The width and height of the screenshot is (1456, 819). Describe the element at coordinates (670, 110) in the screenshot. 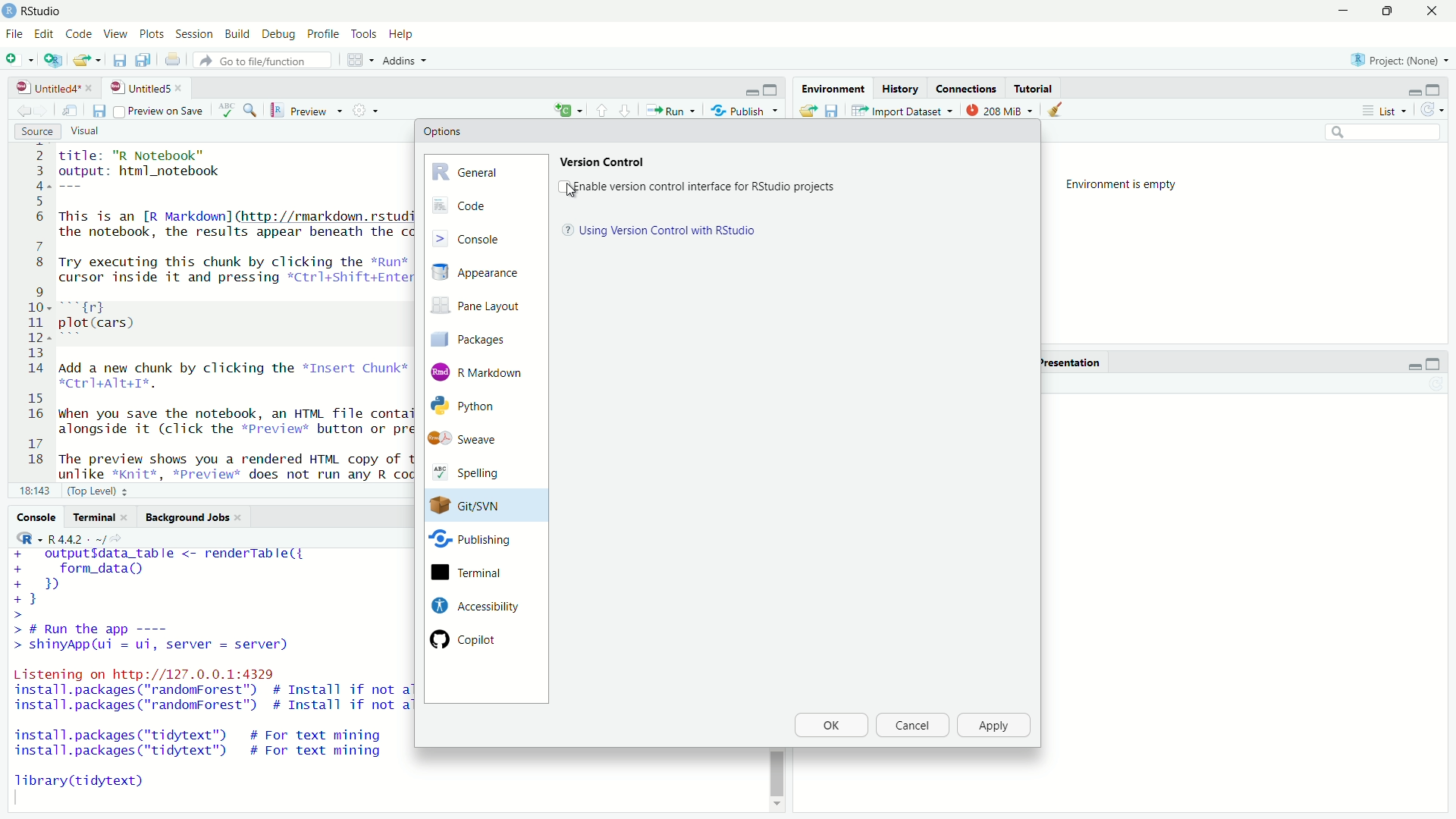

I see `Run` at that location.